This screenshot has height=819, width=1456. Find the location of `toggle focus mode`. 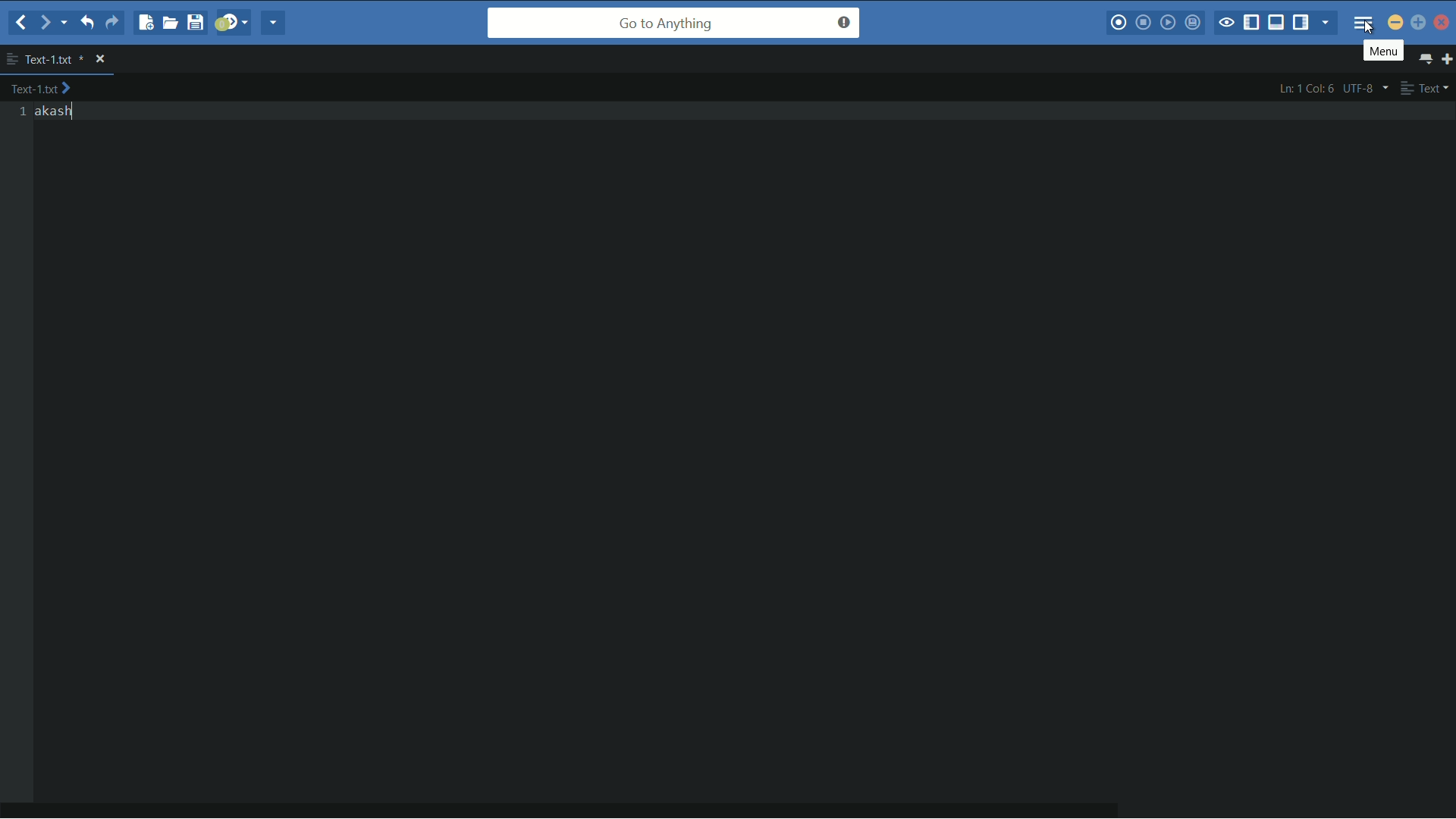

toggle focus mode is located at coordinates (1227, 22).